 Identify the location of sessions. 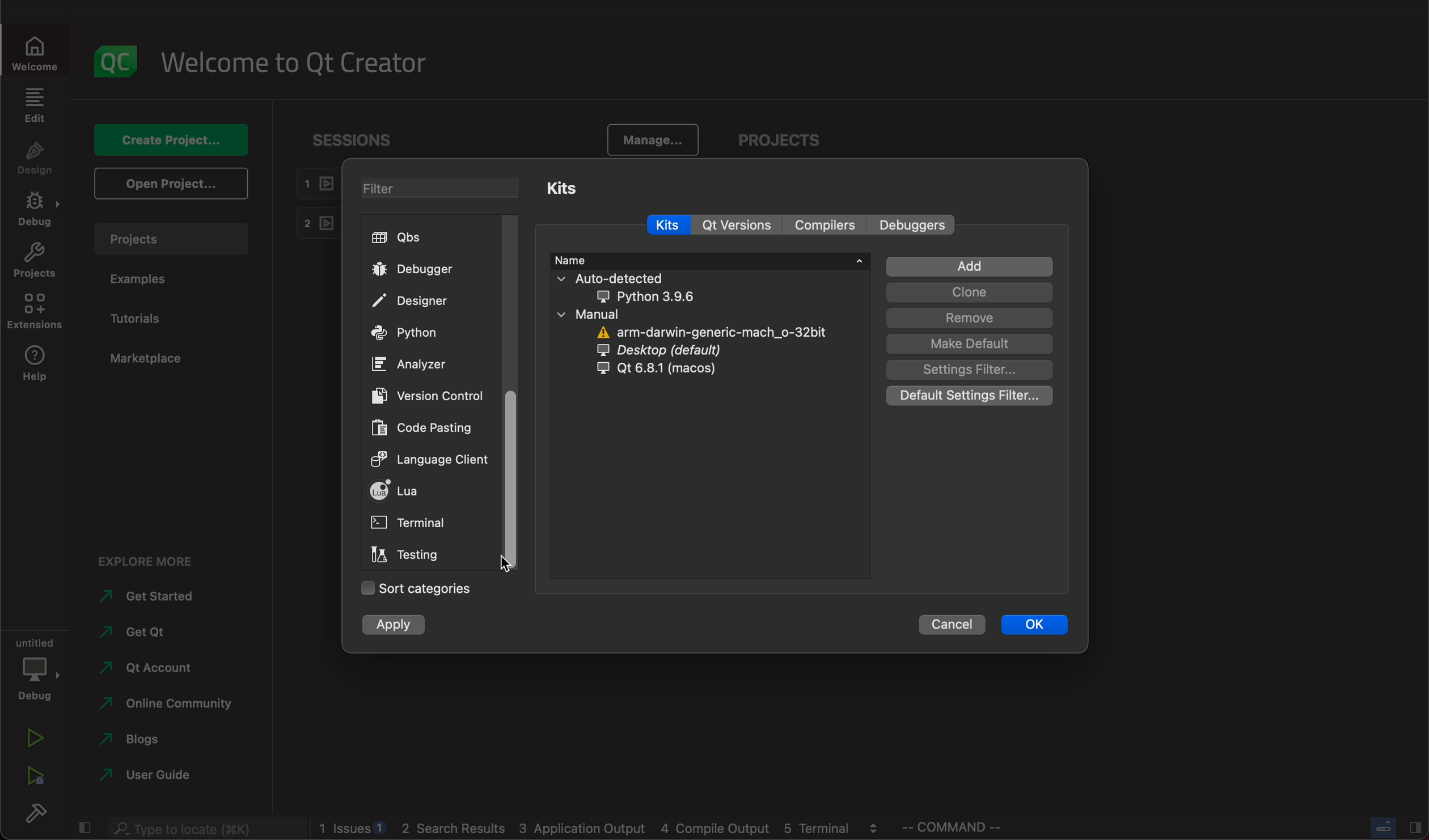
(353, 144).